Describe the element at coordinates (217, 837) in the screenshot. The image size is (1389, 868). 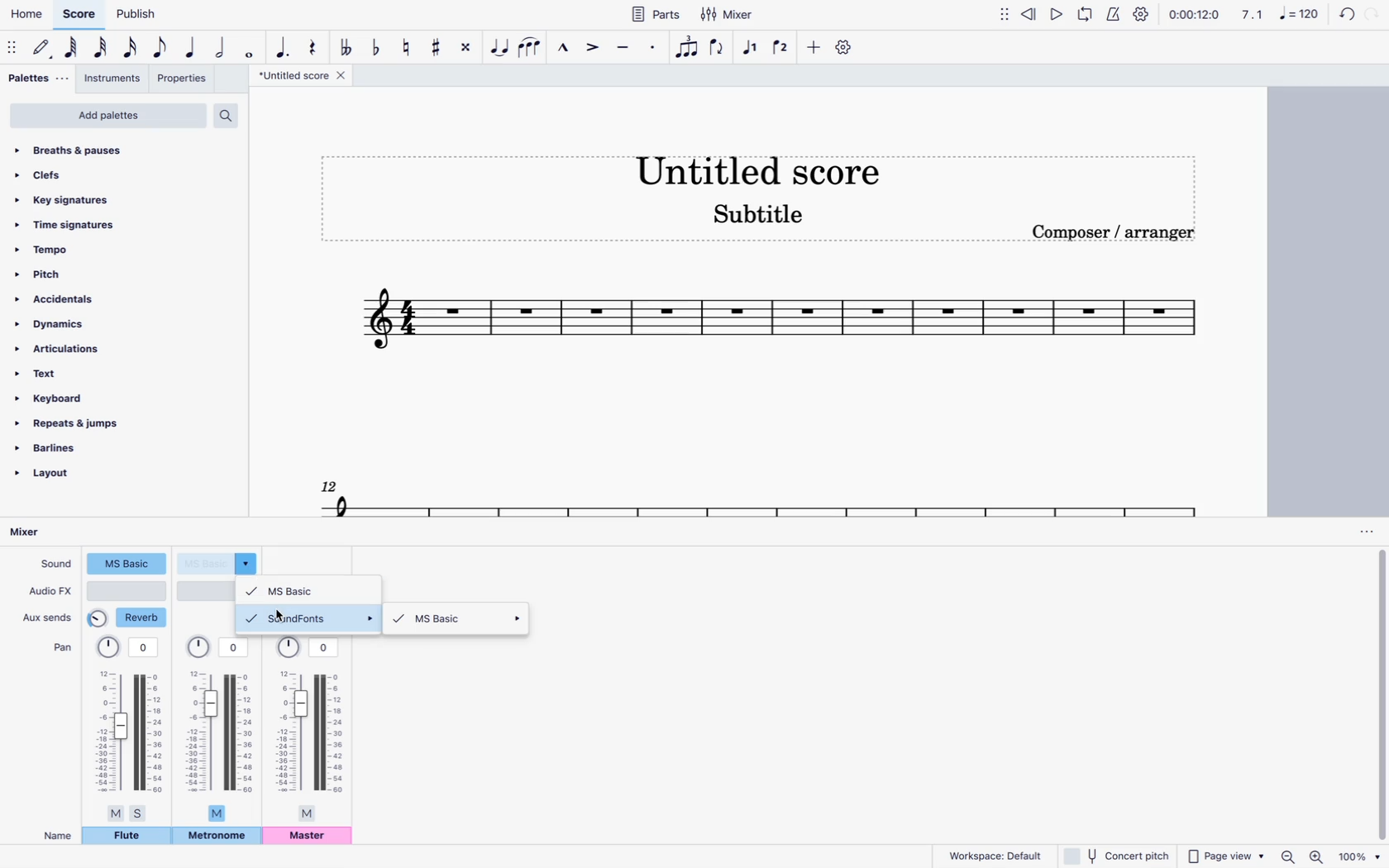
I see `metronome` at that location.